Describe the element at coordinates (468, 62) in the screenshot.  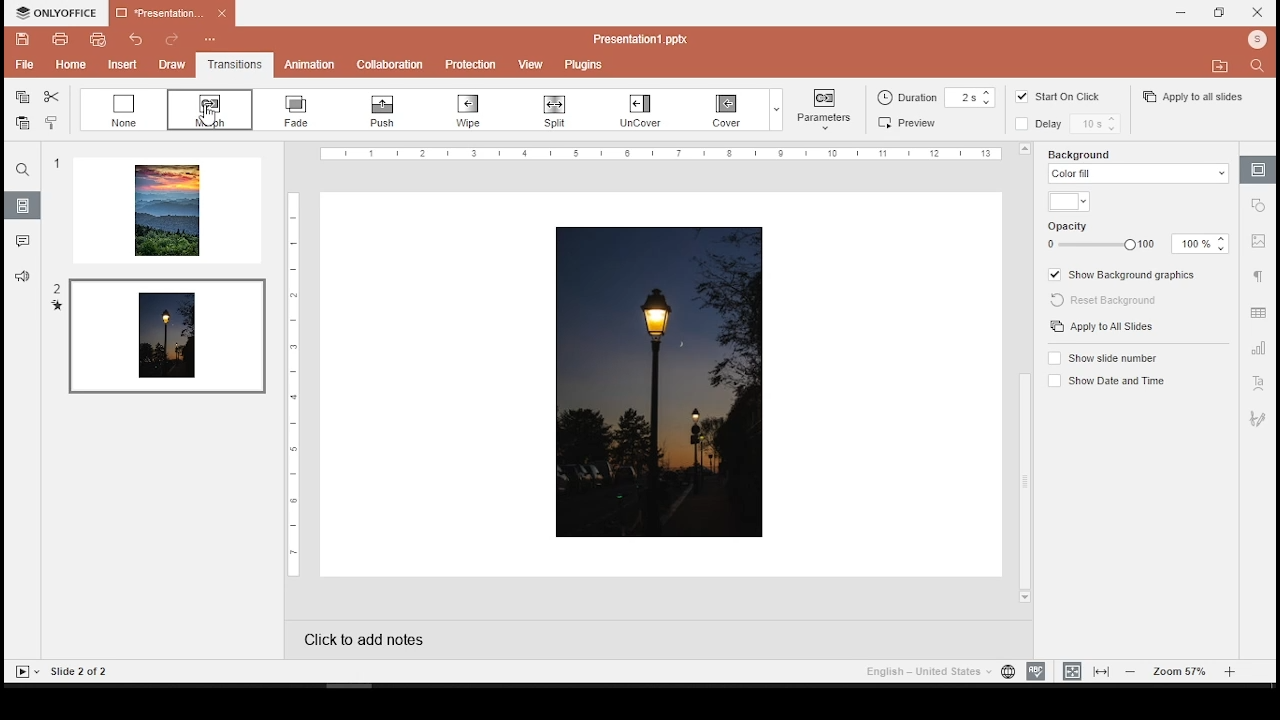
I see `p` at that location.